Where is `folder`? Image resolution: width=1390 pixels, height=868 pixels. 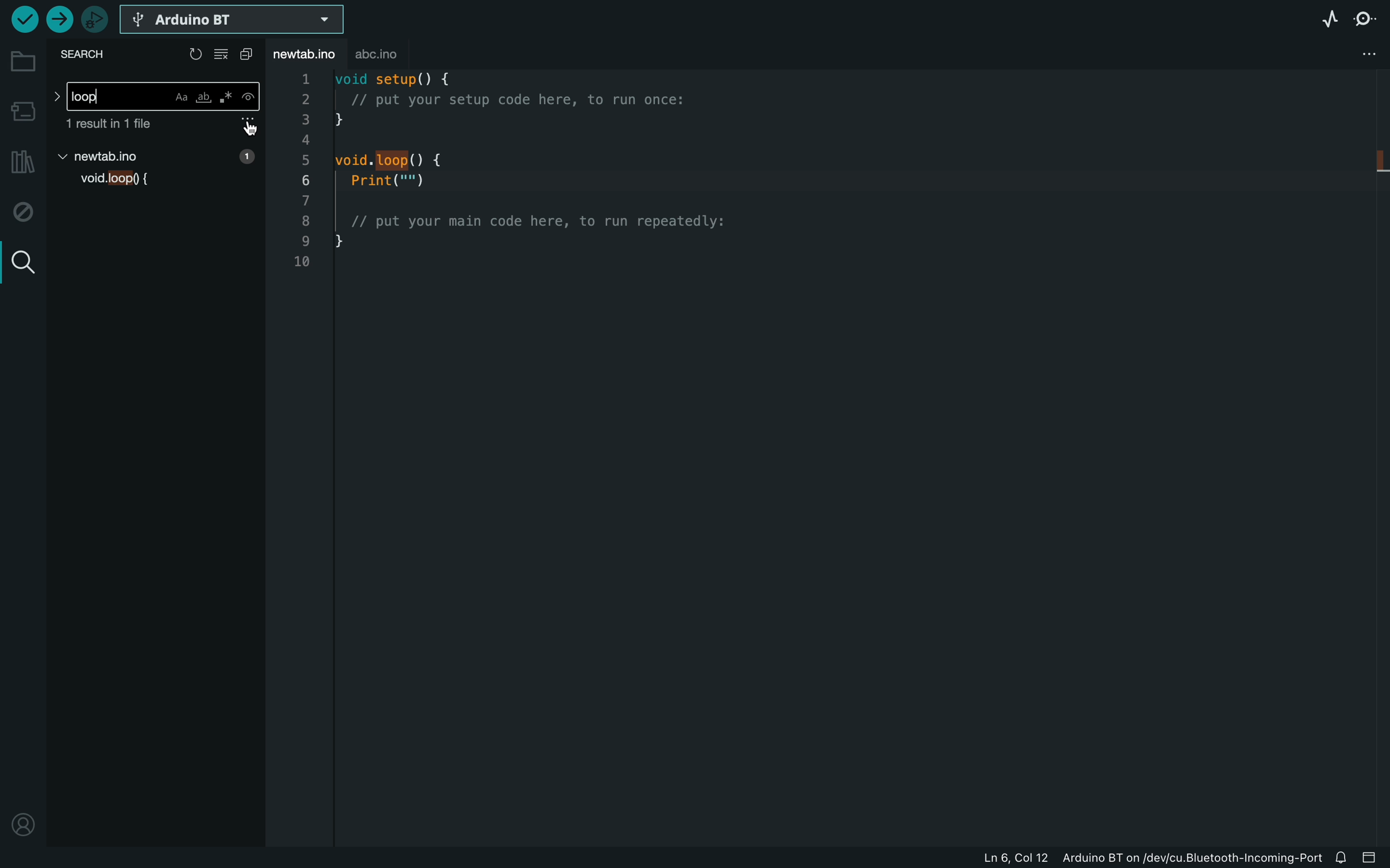 folder is located at coordinates (24, 62).